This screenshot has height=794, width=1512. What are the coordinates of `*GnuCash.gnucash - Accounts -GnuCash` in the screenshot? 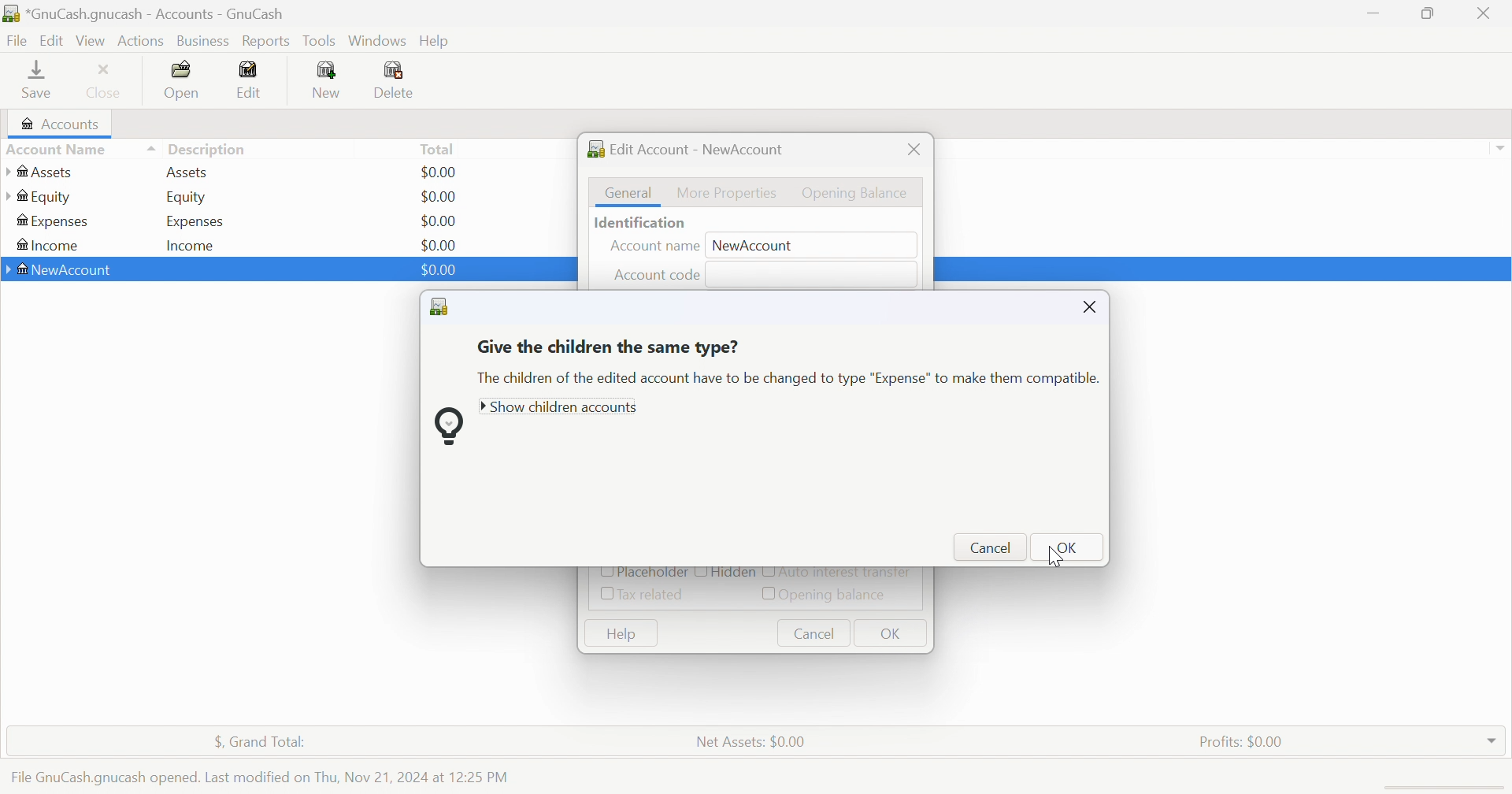 It's located at (148, 14).